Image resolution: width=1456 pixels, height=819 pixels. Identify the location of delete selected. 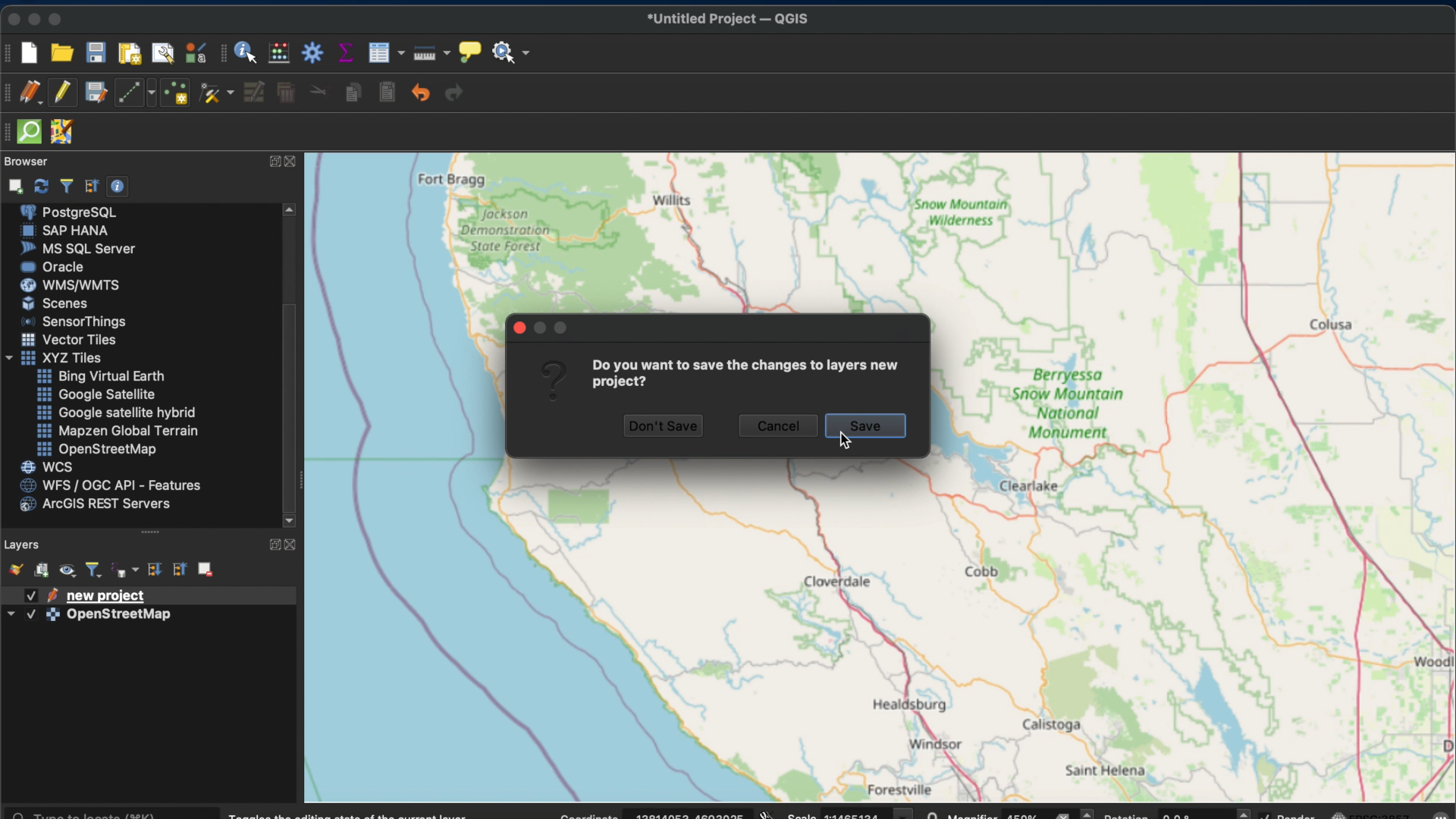
(287, 93).